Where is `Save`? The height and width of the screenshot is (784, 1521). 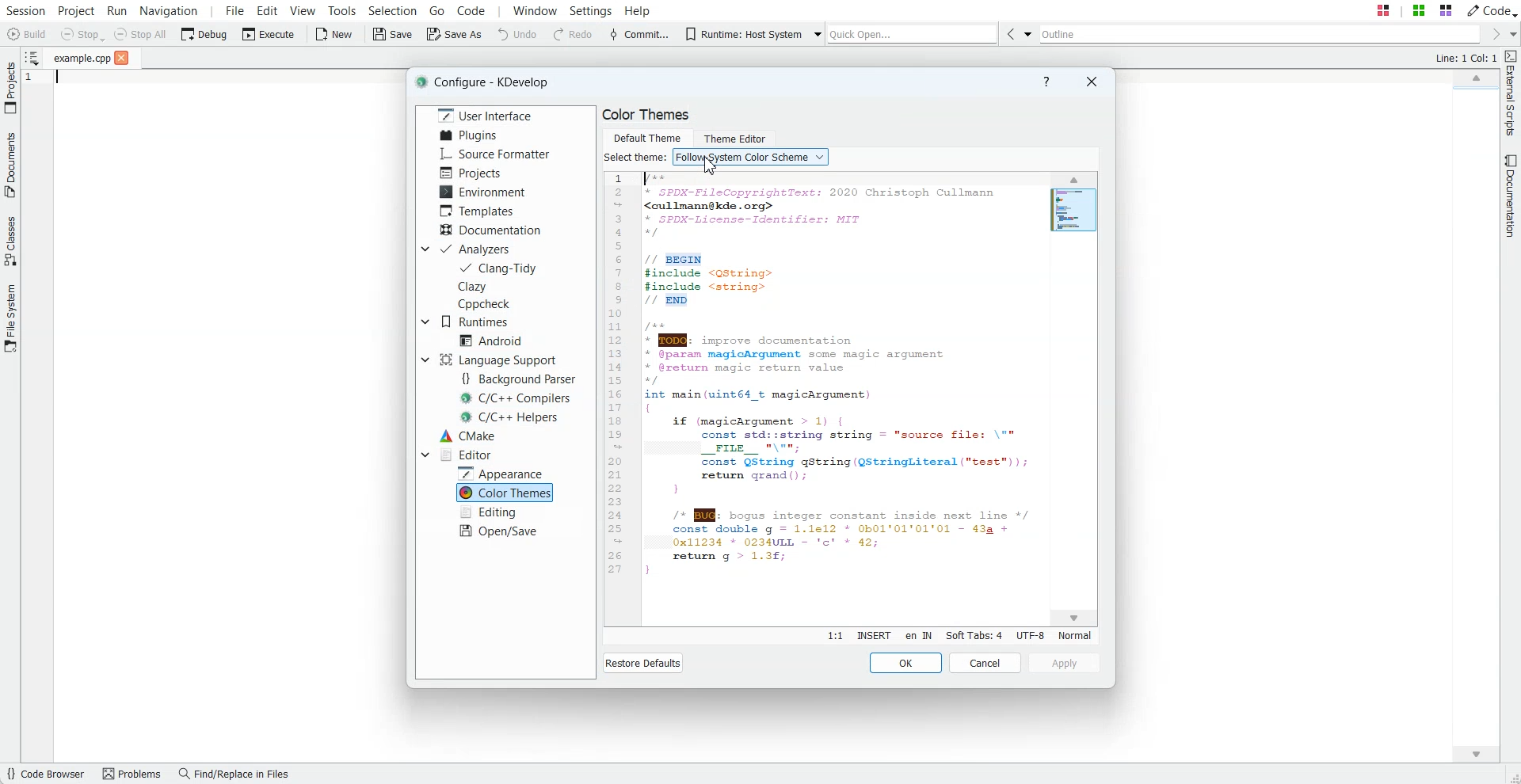
Save is located at coordinates (393, 35).